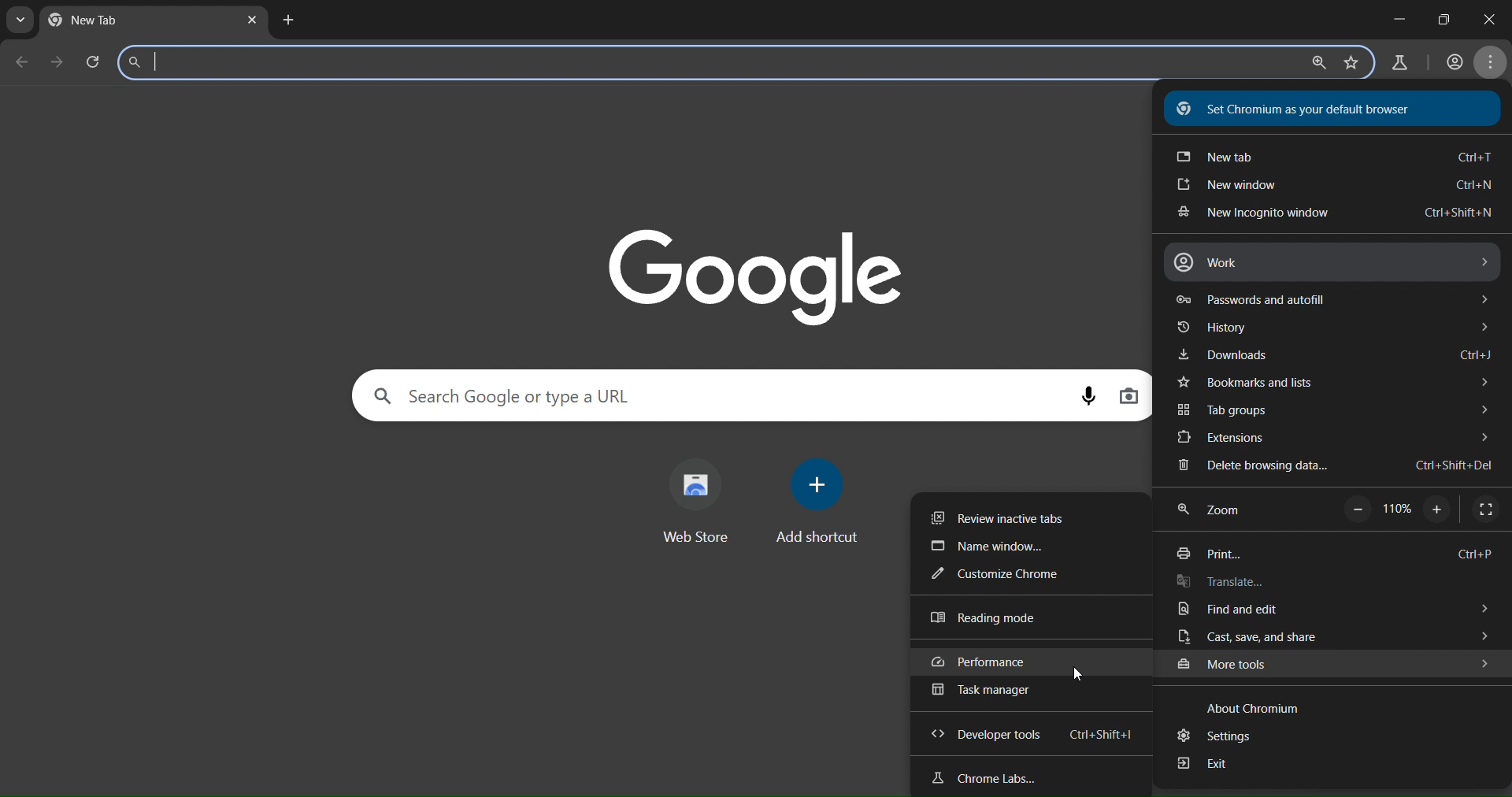  What do you see at coordinates (1443, 19) in the screenshot?
I see `restore down` at bounding box center [1443, 19].